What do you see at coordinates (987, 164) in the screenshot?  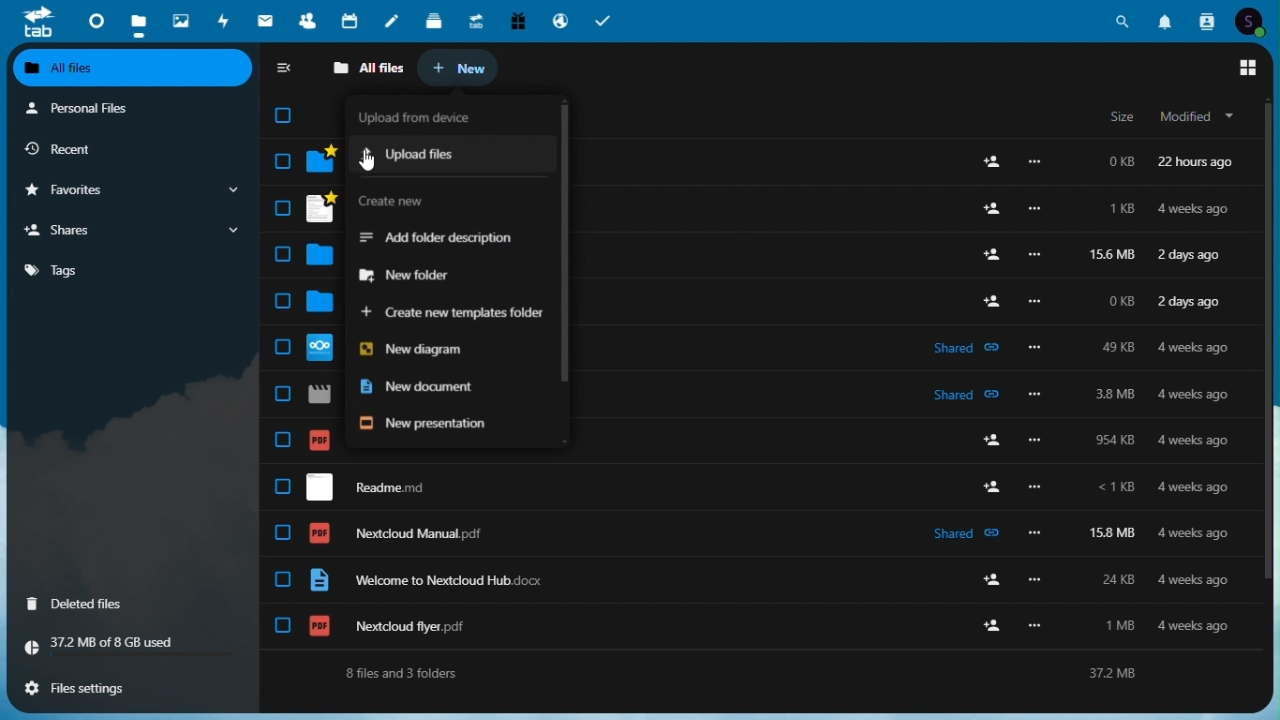 I see `add user` at bounding box center [987, 164].